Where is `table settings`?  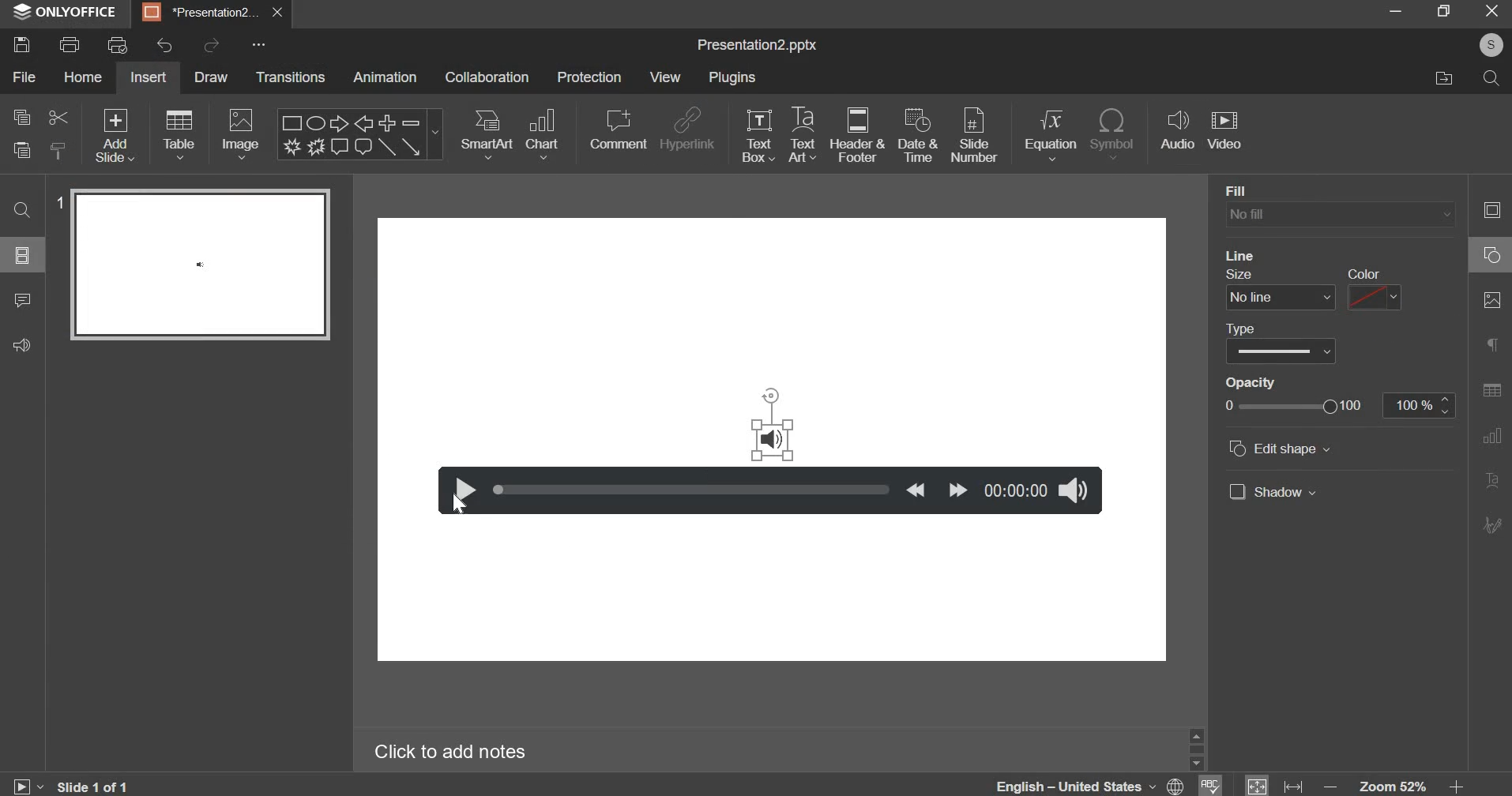 table settings is located at coordinates (1491, 389).